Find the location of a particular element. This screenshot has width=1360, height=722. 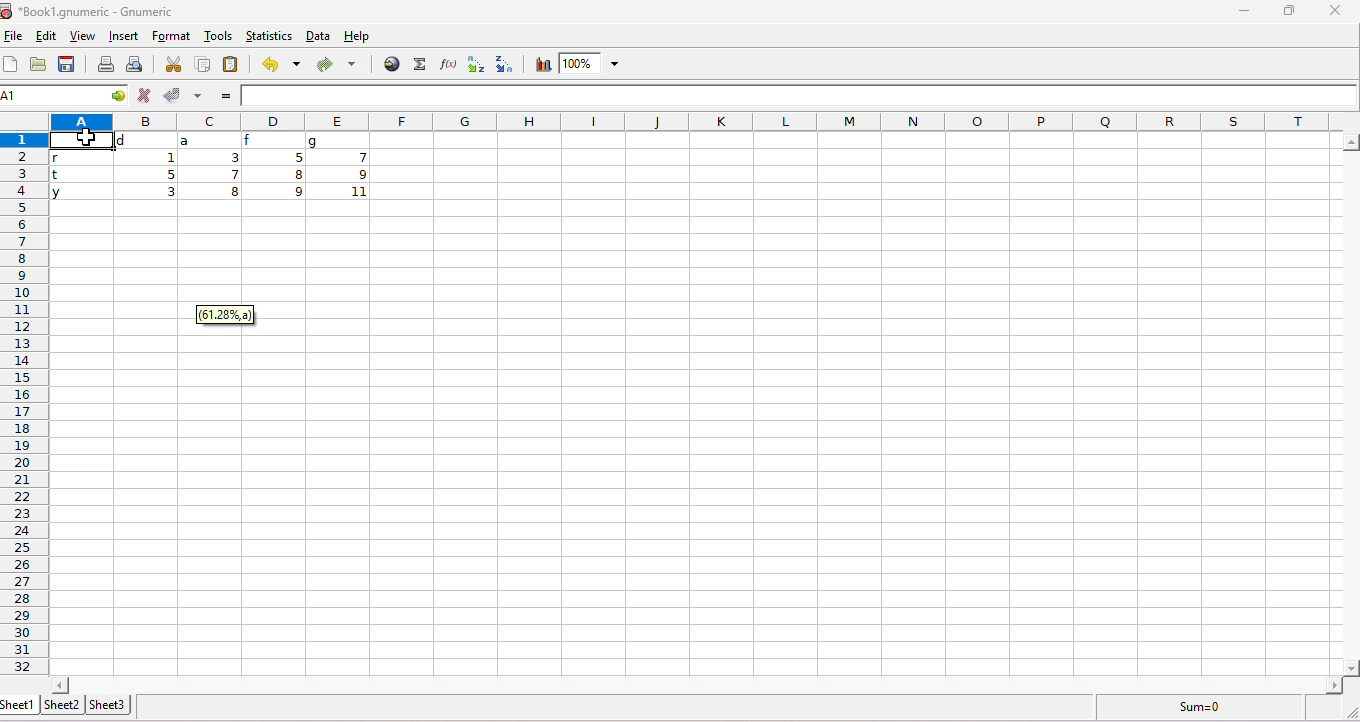

= is located at coordinates (224, 97).